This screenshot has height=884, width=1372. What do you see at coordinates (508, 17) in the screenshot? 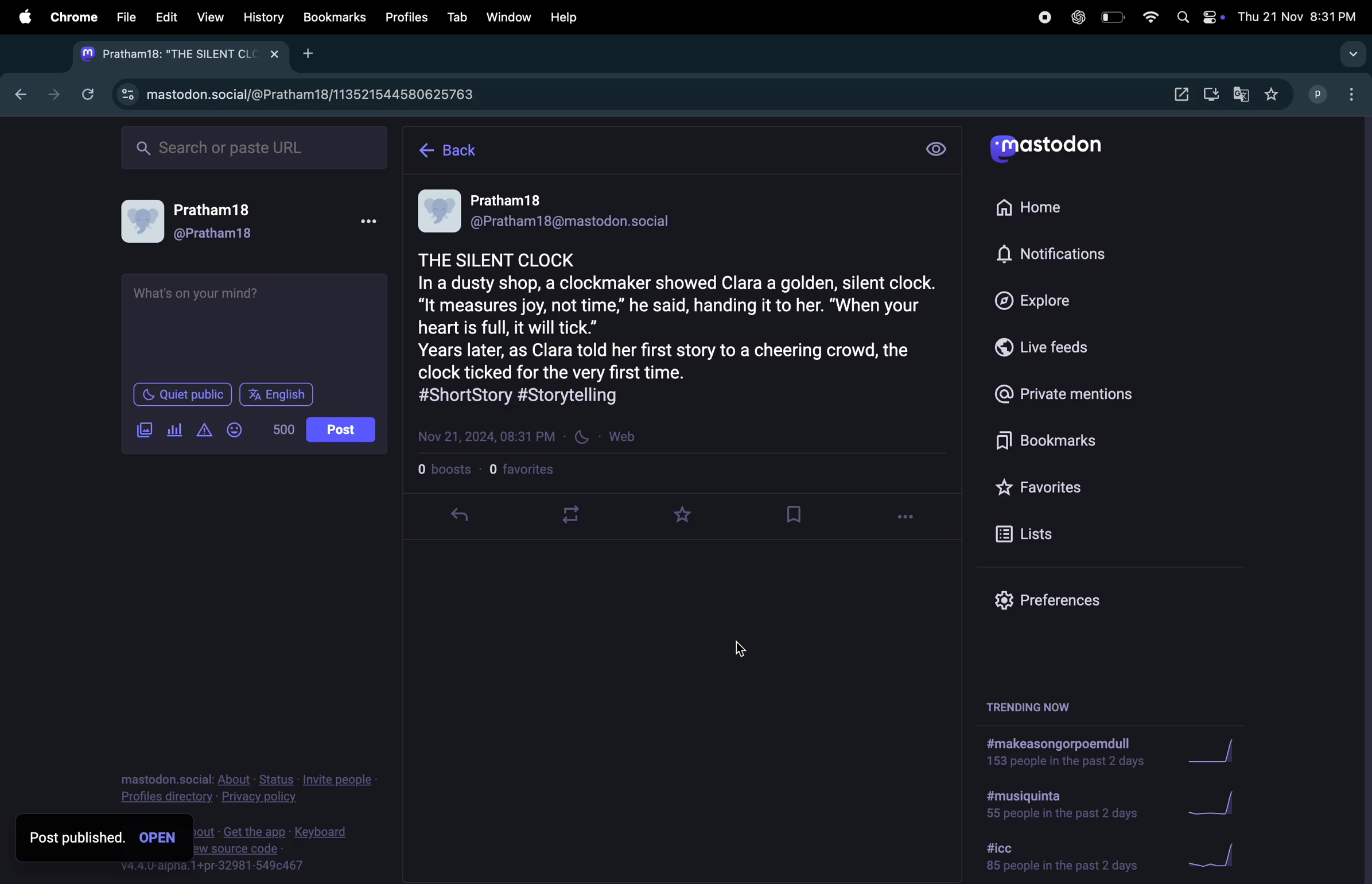
I see `window` at bounding box center [508, 17].